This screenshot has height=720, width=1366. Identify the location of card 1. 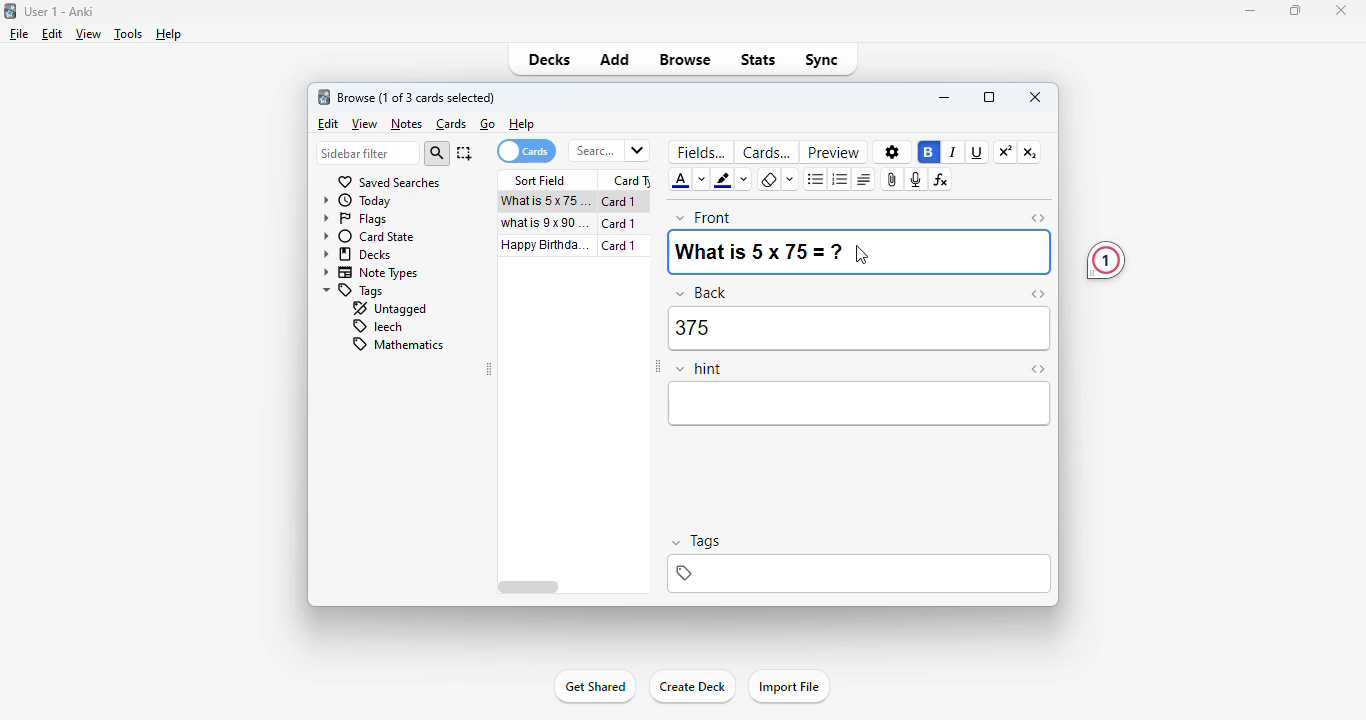
(619, 202).